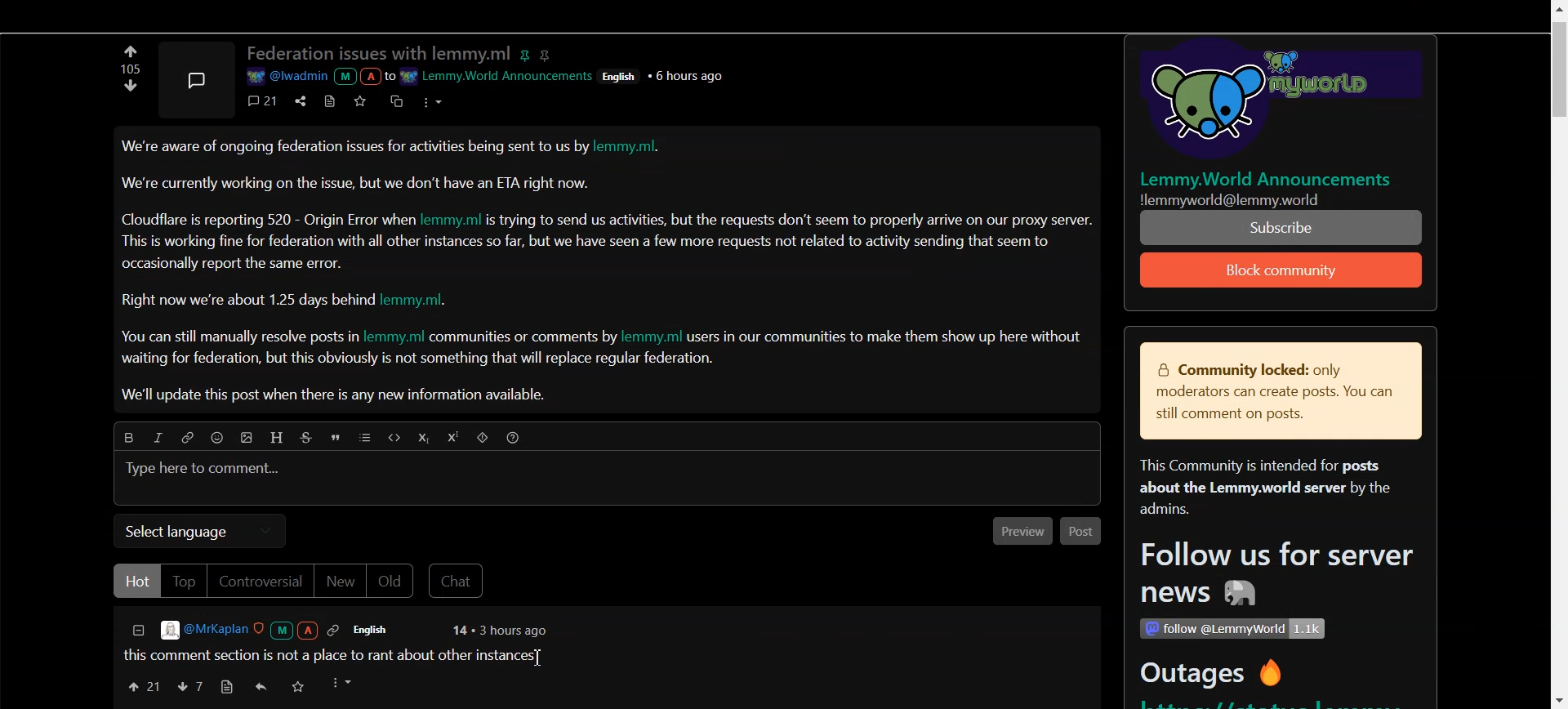 The height and width of the screenshot is (709, 1568). I want to click on Subscript, so click(422, 439).